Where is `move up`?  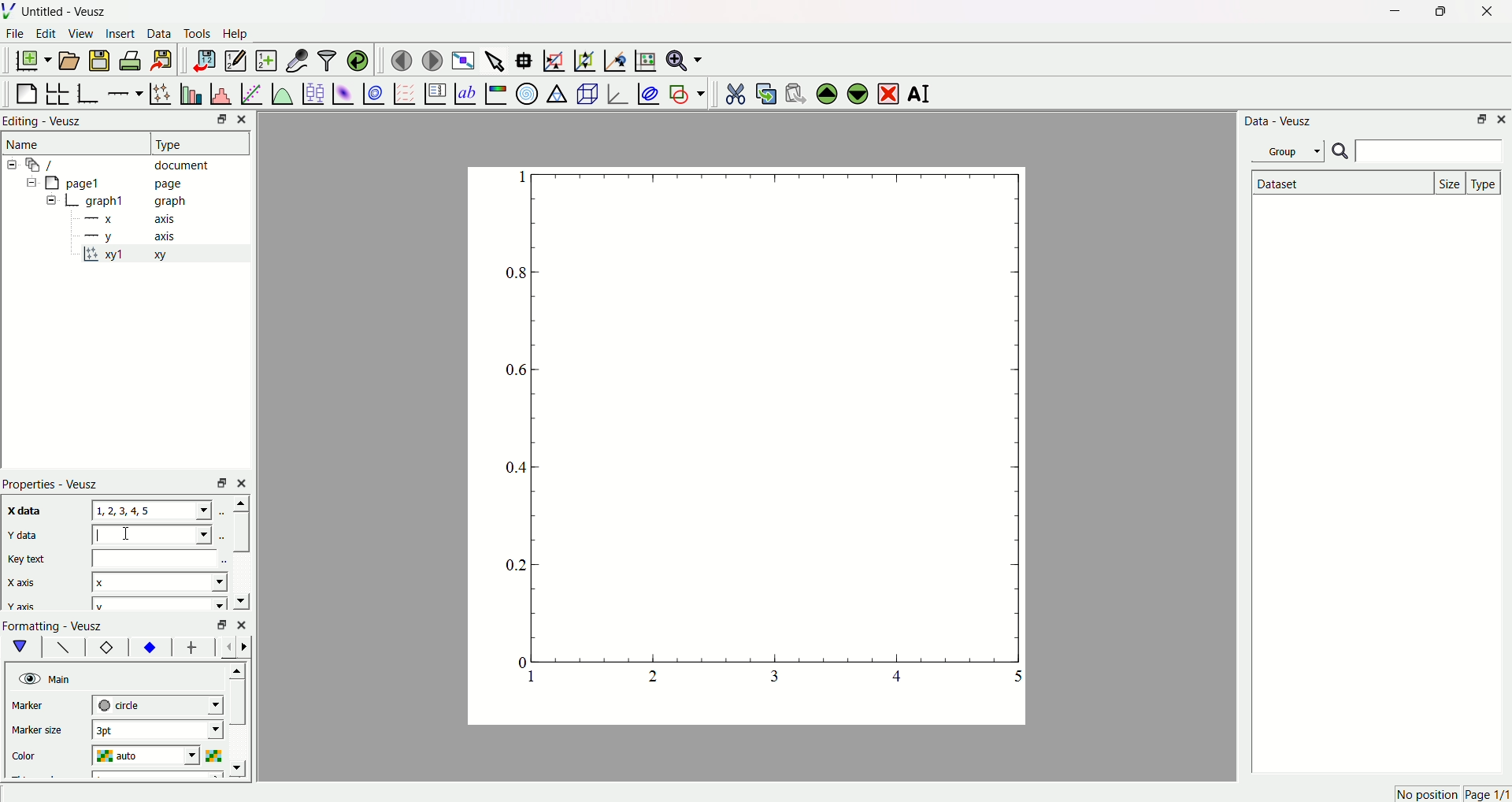
move up is located at coordinates (239, 503).